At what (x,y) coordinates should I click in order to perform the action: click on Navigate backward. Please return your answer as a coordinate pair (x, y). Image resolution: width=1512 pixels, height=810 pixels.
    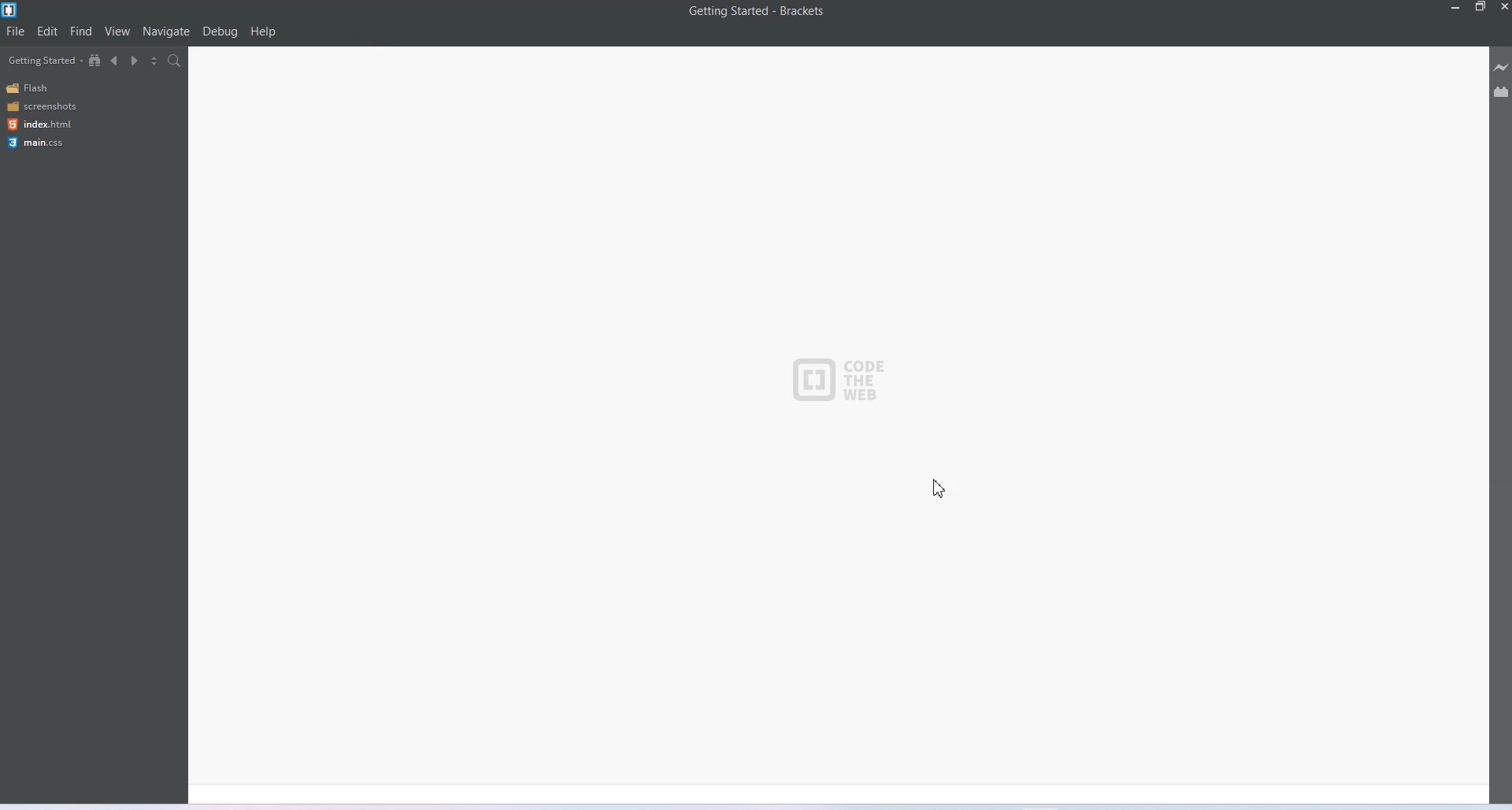
    Looking at the image, I should click on (115, 61).